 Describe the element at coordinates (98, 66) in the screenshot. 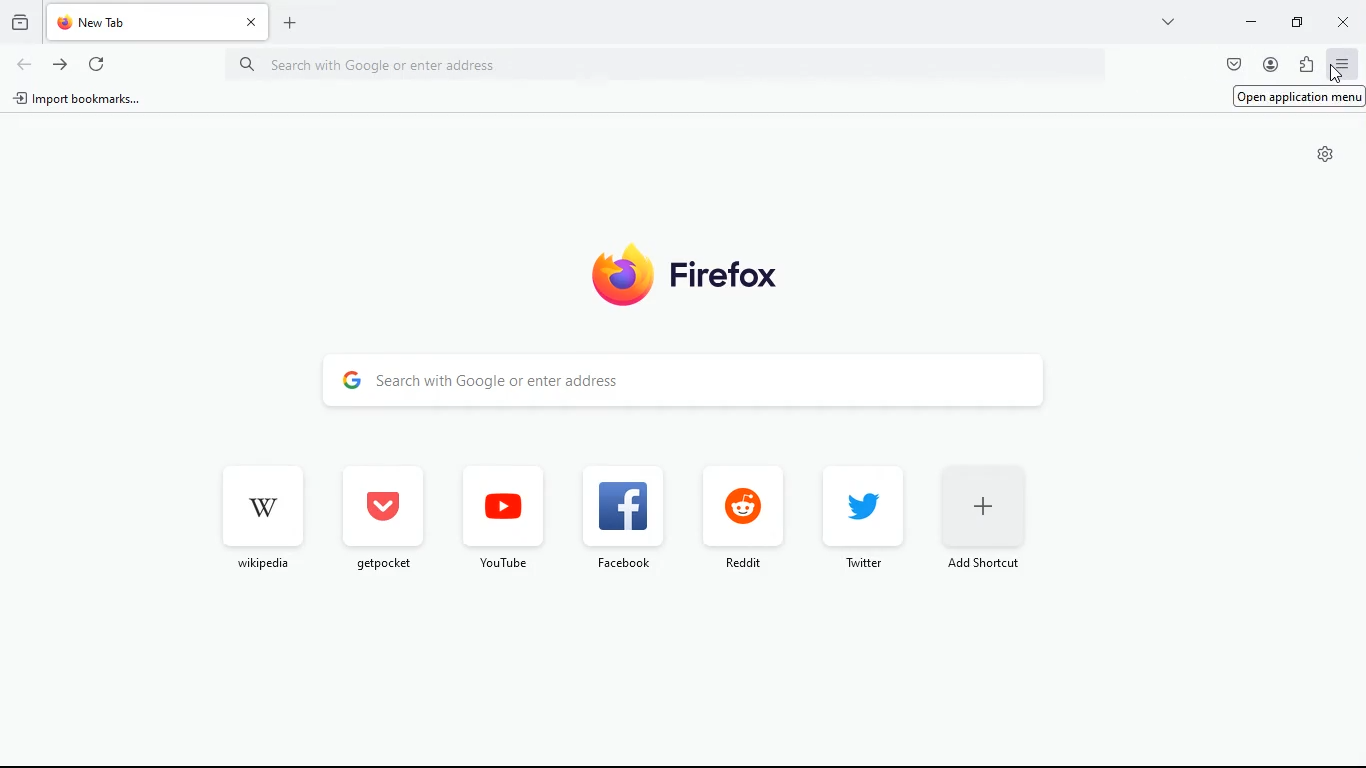

I see `refresh` at that location.